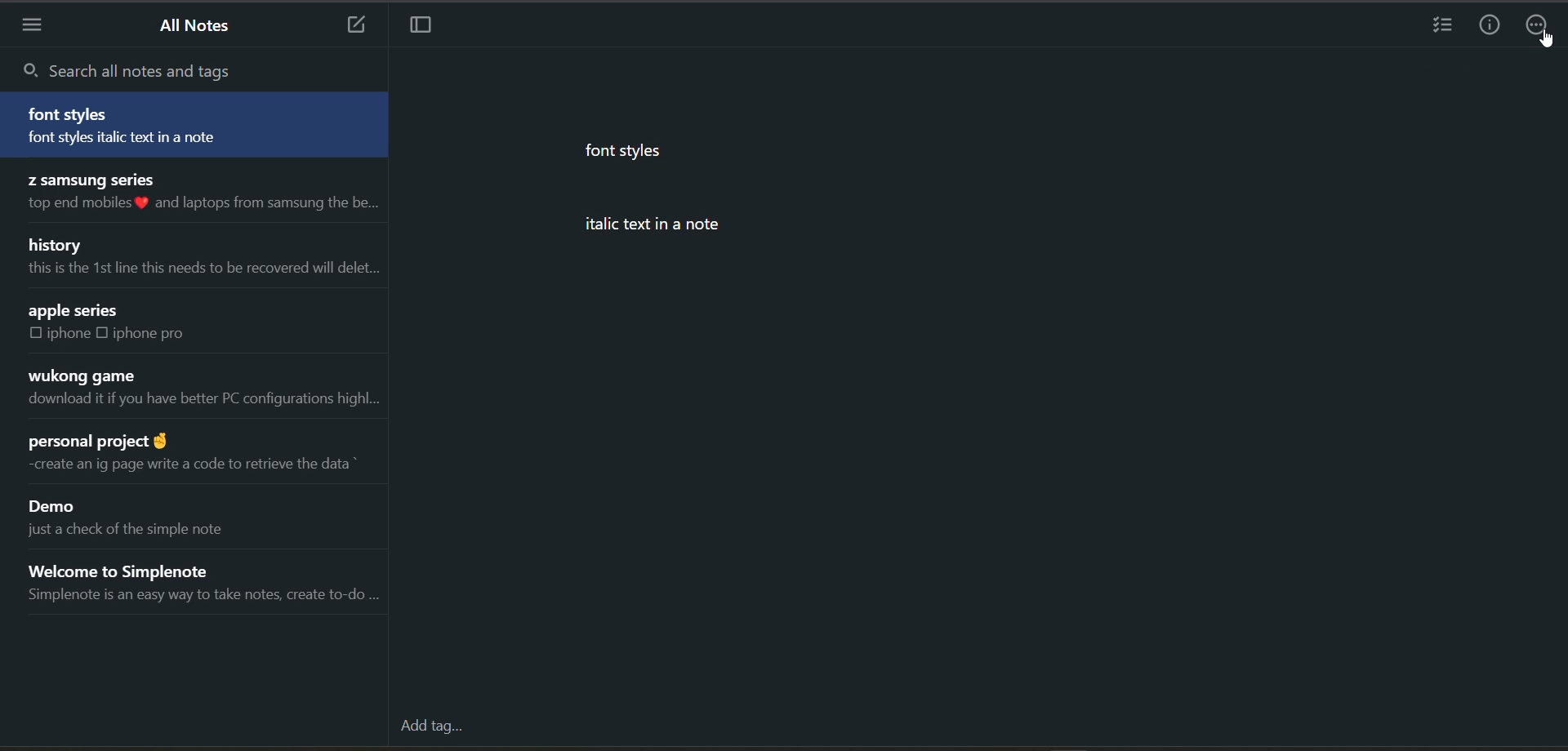  I want to click on note title and preview, so click(136, 327).